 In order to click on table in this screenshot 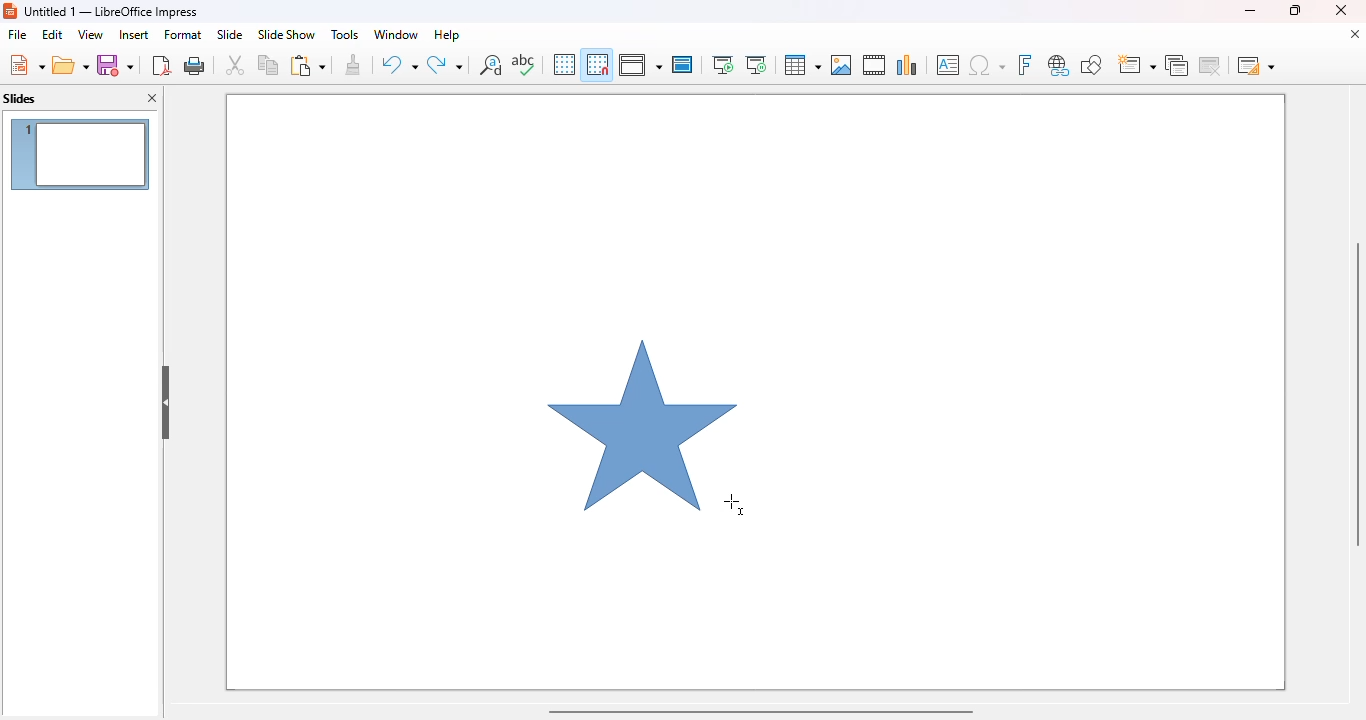, I will do `click(801, 65)`.